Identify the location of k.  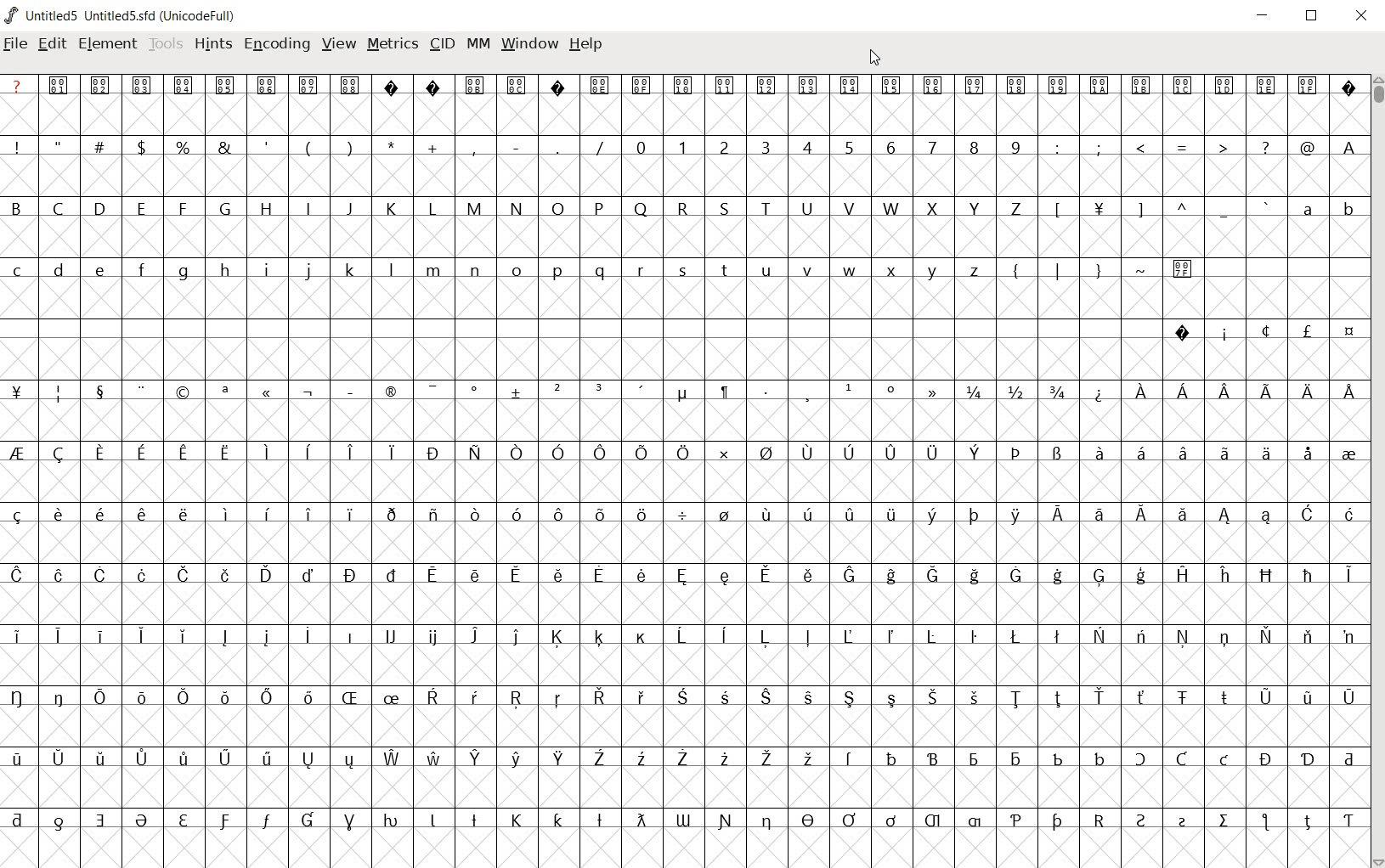
(349, 269).